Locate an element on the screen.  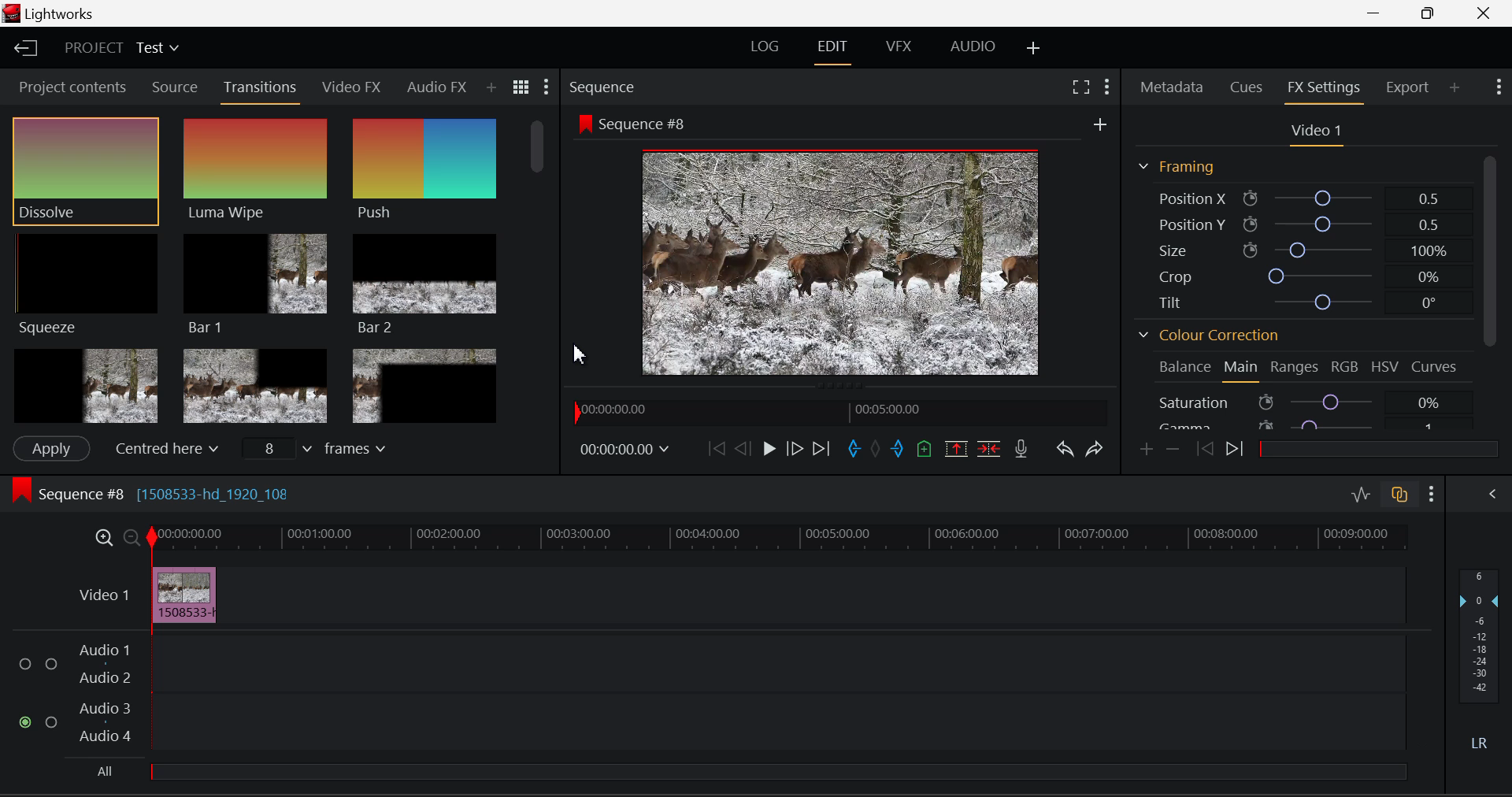
Preview Display Quality Altered is located at coordinates (845, 263).